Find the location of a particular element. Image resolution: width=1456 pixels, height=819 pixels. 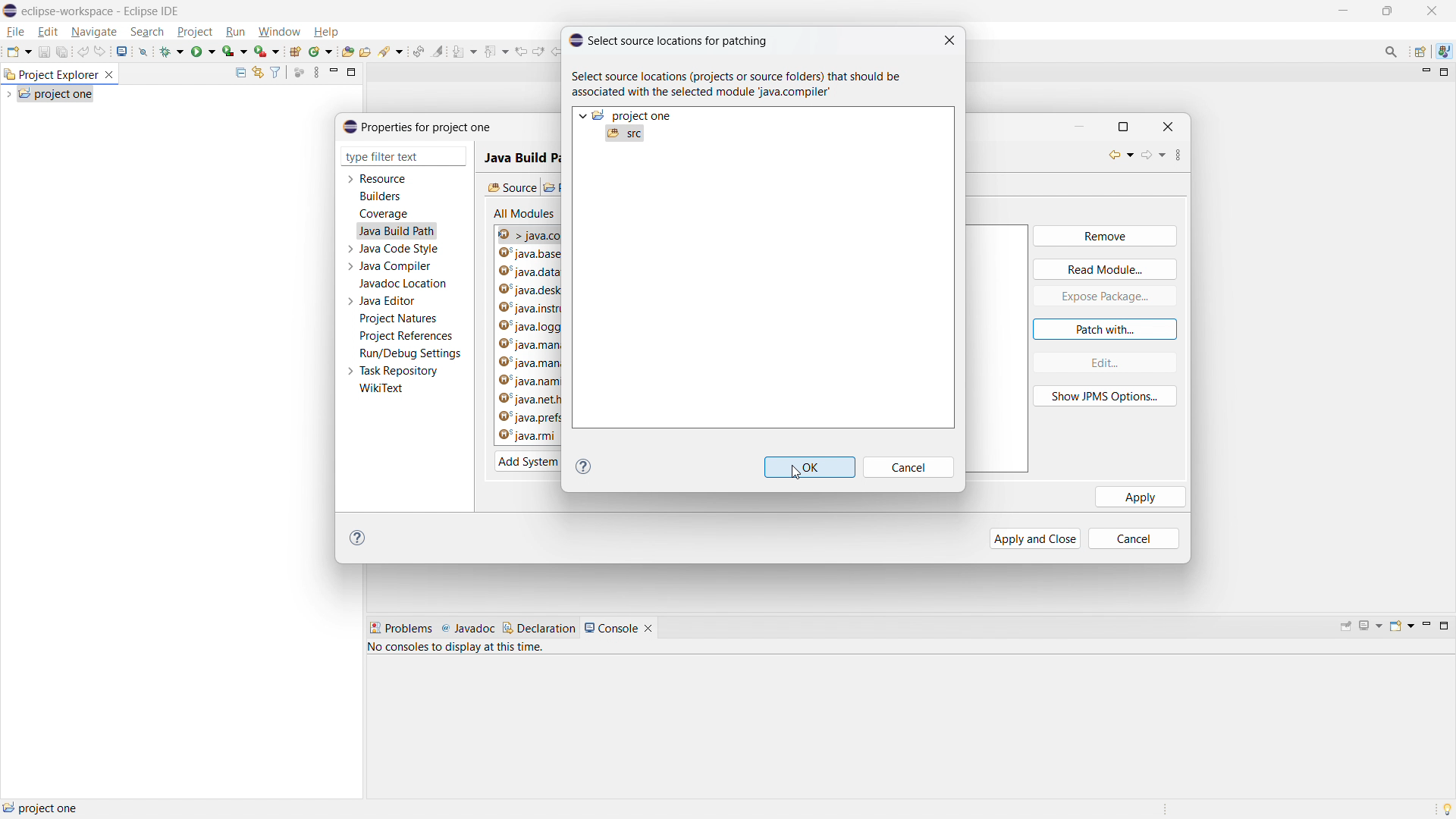

apply and close is located at coordinates (1035, 538).